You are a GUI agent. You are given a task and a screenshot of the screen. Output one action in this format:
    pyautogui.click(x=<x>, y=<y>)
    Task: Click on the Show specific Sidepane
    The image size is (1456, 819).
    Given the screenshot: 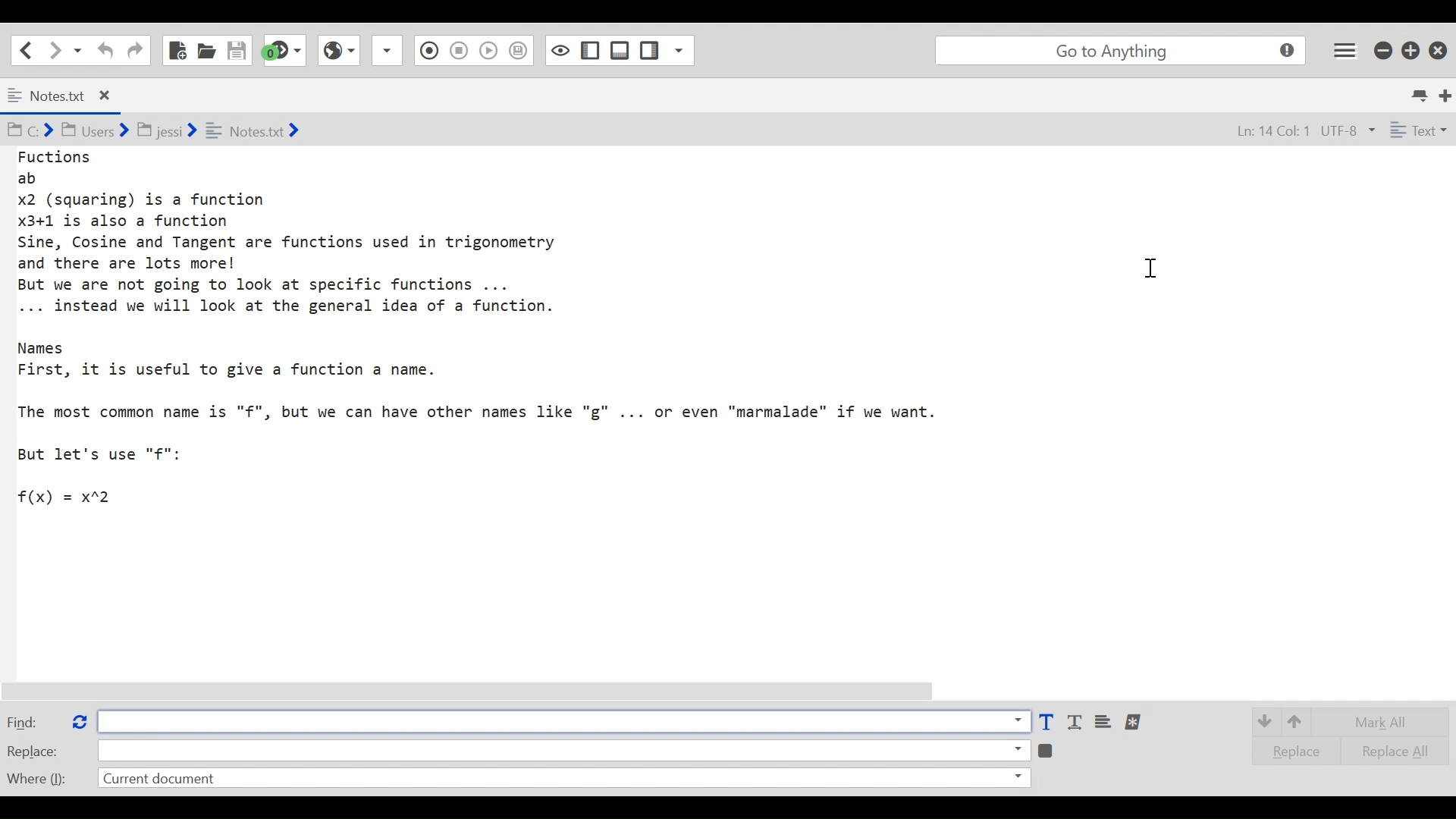 What is the action you would take?
    pyautogui.click(x=667, y=51)
    